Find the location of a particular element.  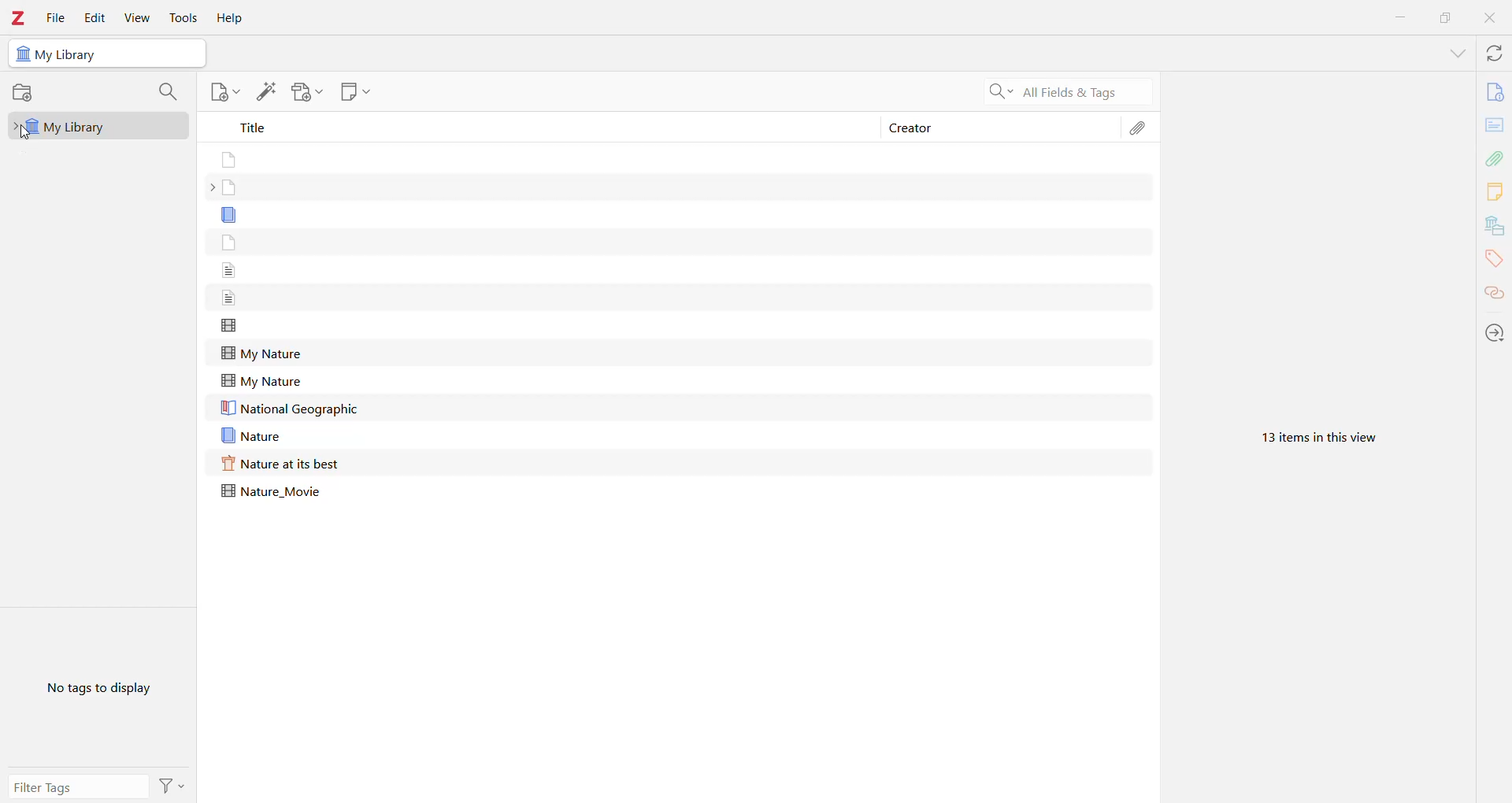

Help is located at coordinates (231, 18).